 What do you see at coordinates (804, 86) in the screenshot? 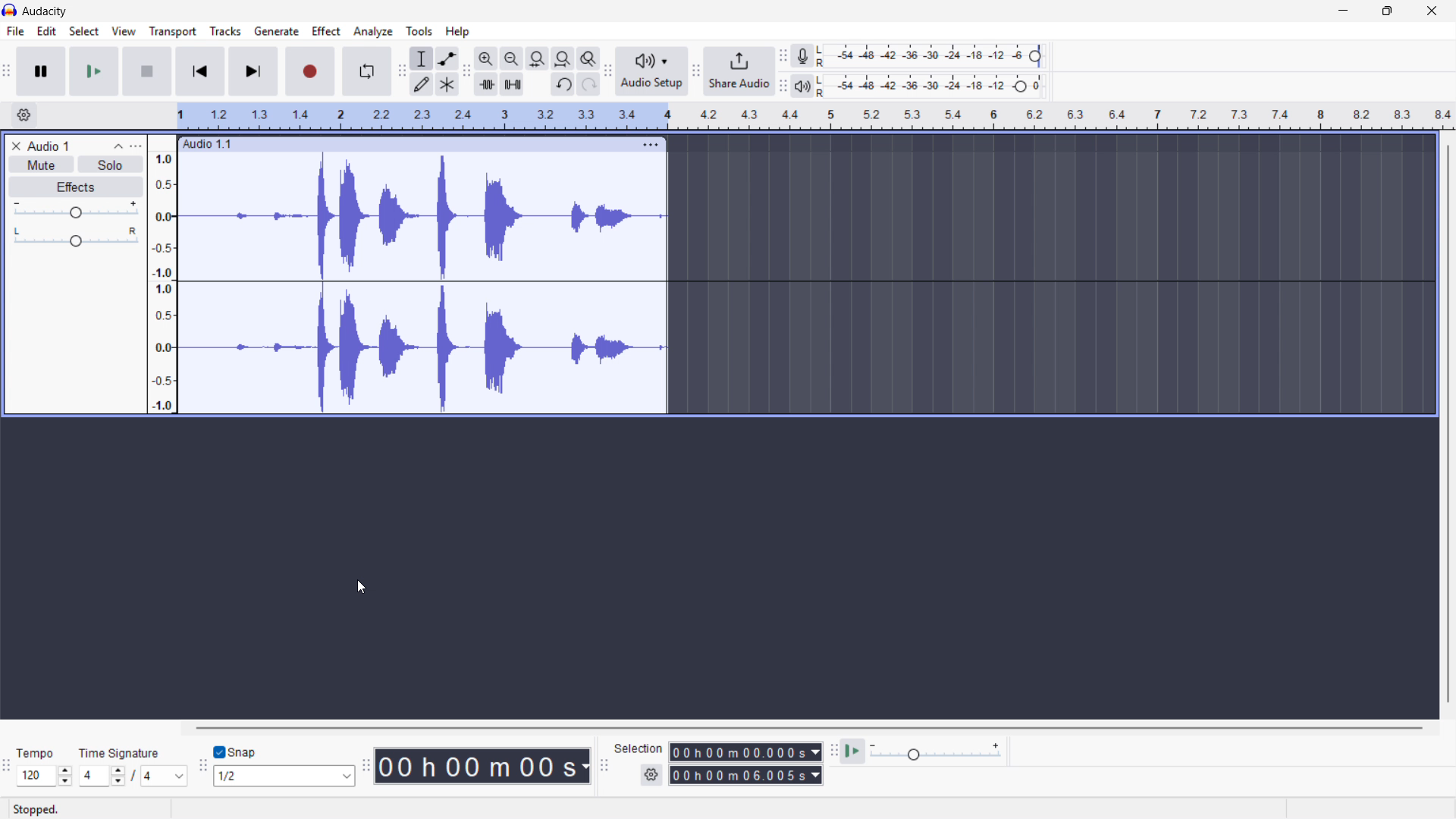
I see `Playback metre` at bounding box center [804, 86].